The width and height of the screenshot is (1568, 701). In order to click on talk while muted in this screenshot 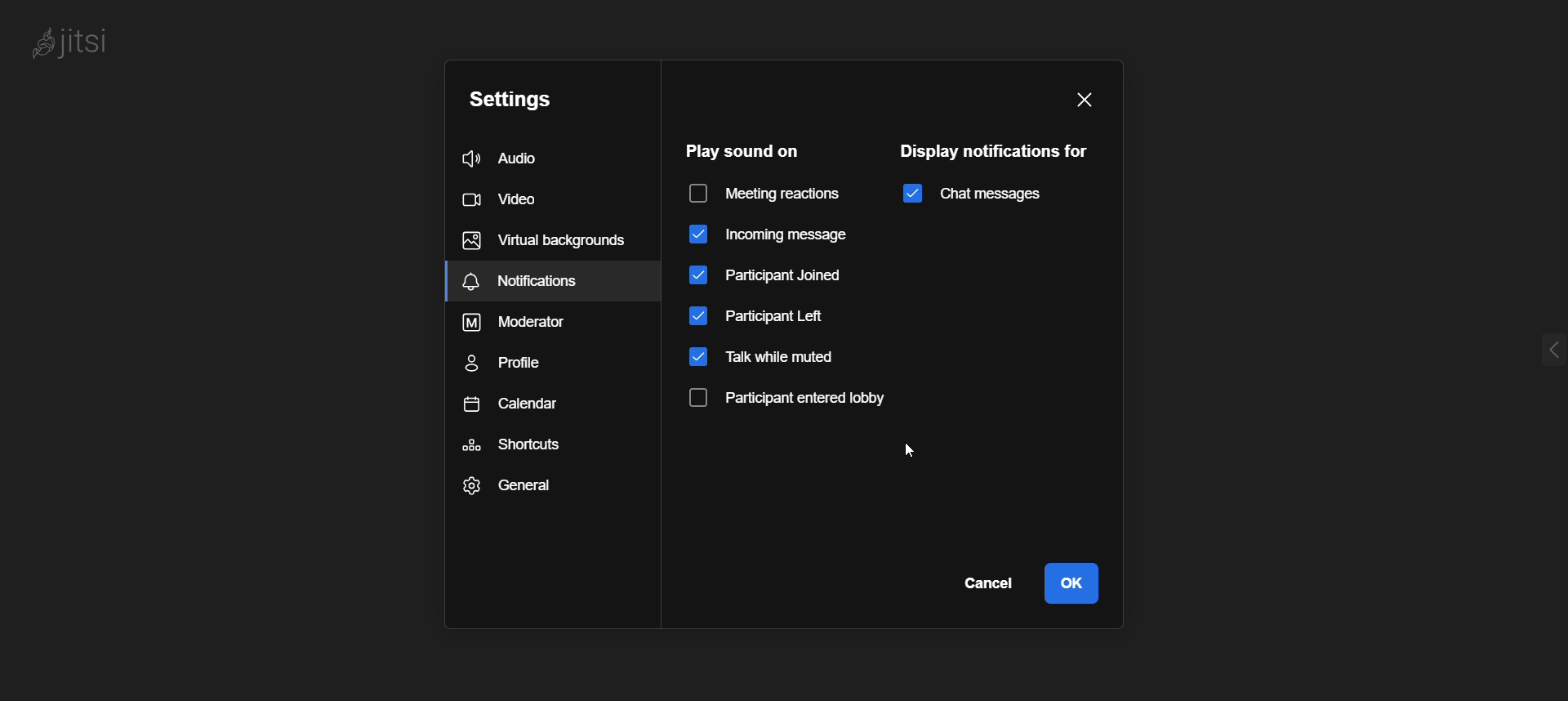, I will do `click(771, 358)`.